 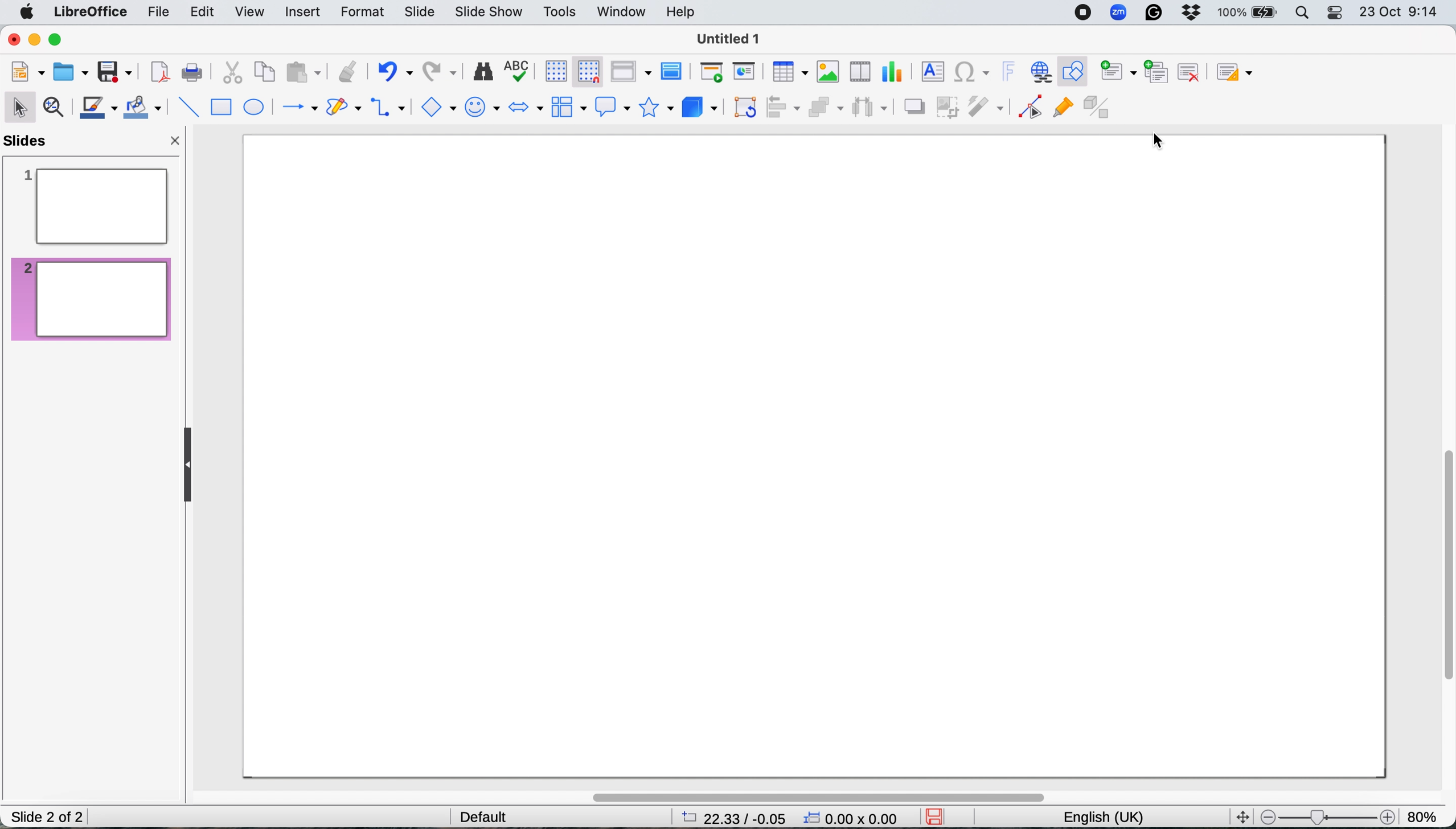 I want to click on undo, so click(x=395, y=72).